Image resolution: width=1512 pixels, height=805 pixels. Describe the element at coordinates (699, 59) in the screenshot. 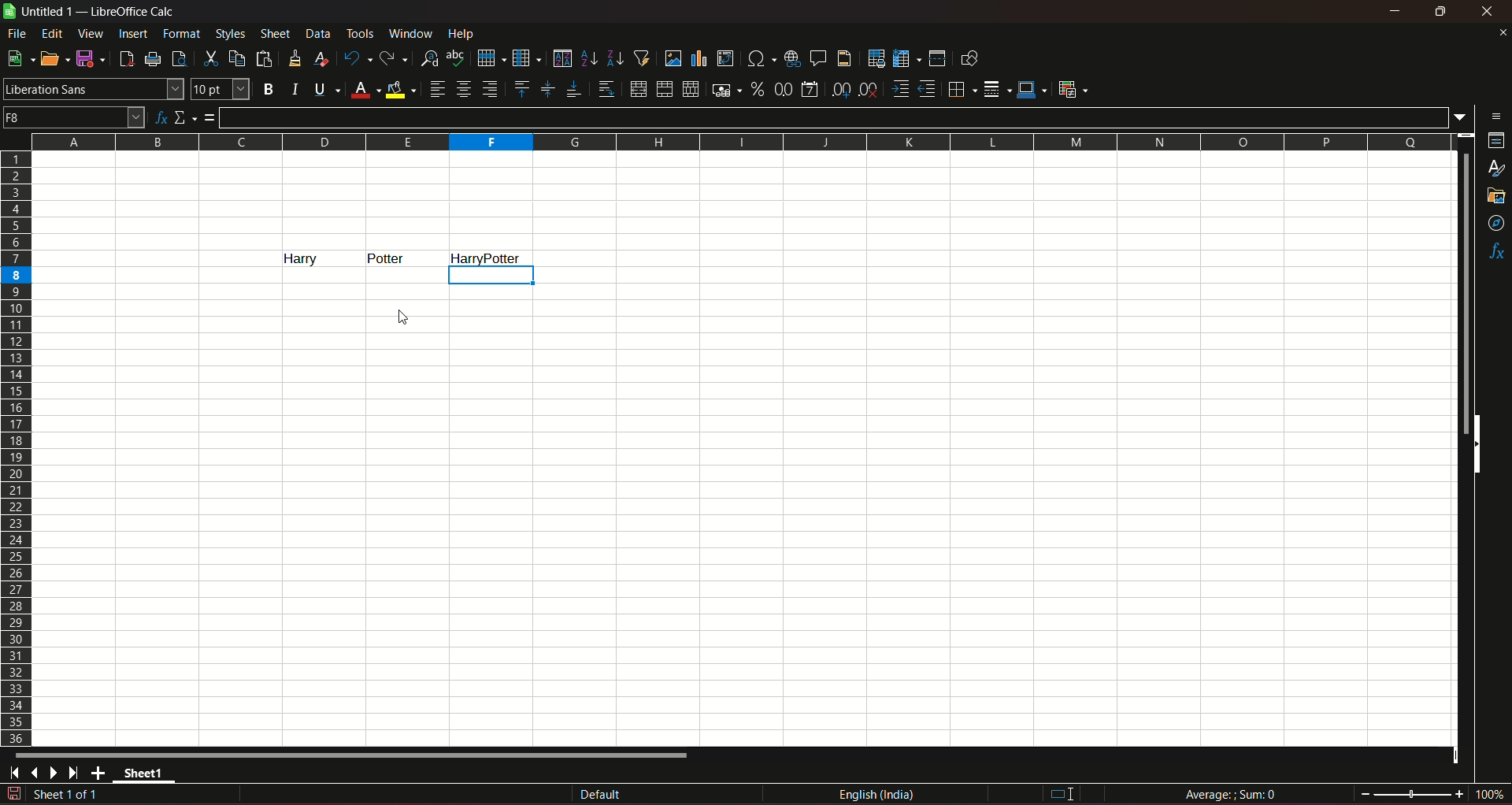

I see `insert chart` at that location.